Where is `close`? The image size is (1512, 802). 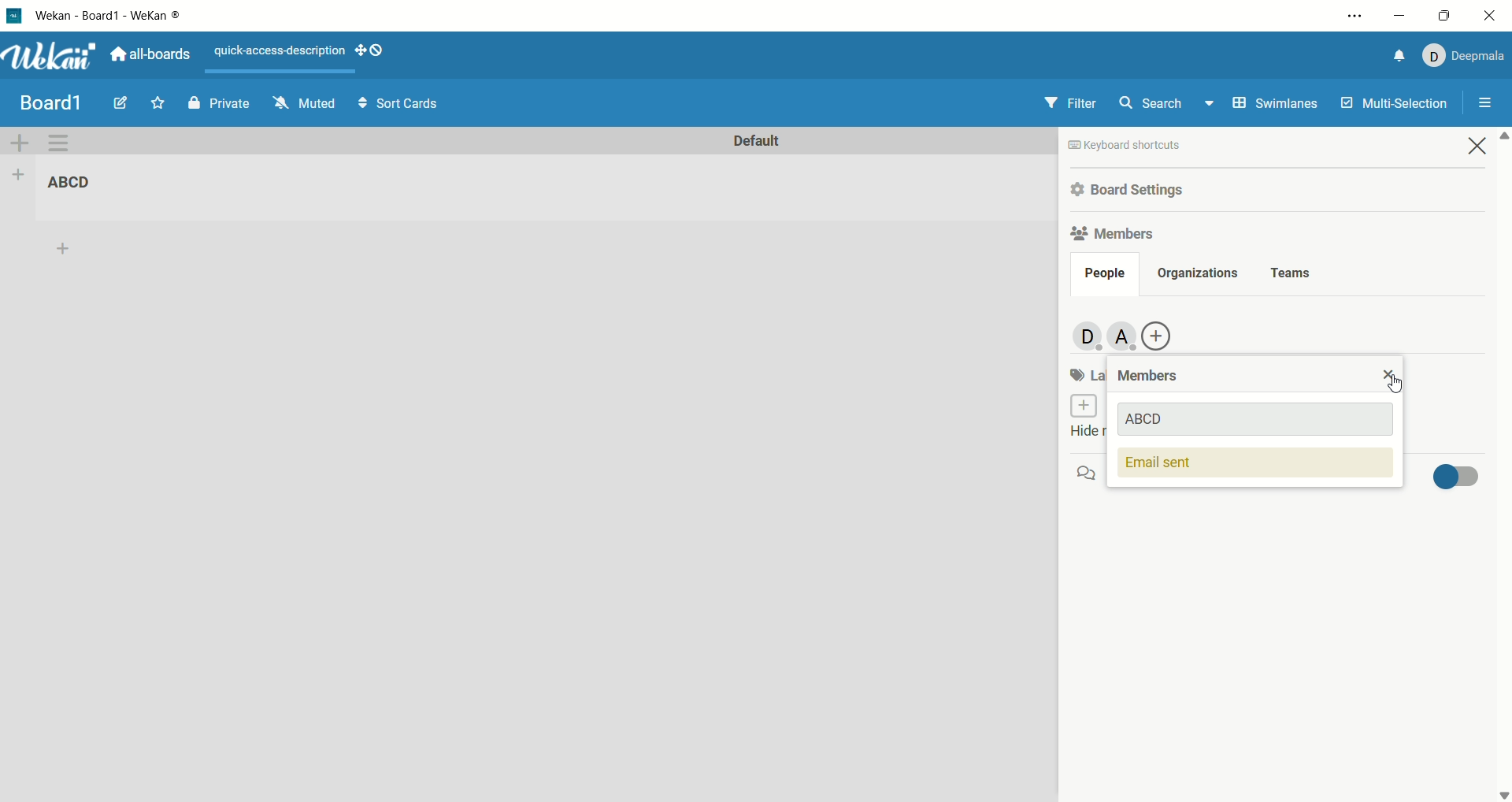 close is located at coordinates (1388, 373).